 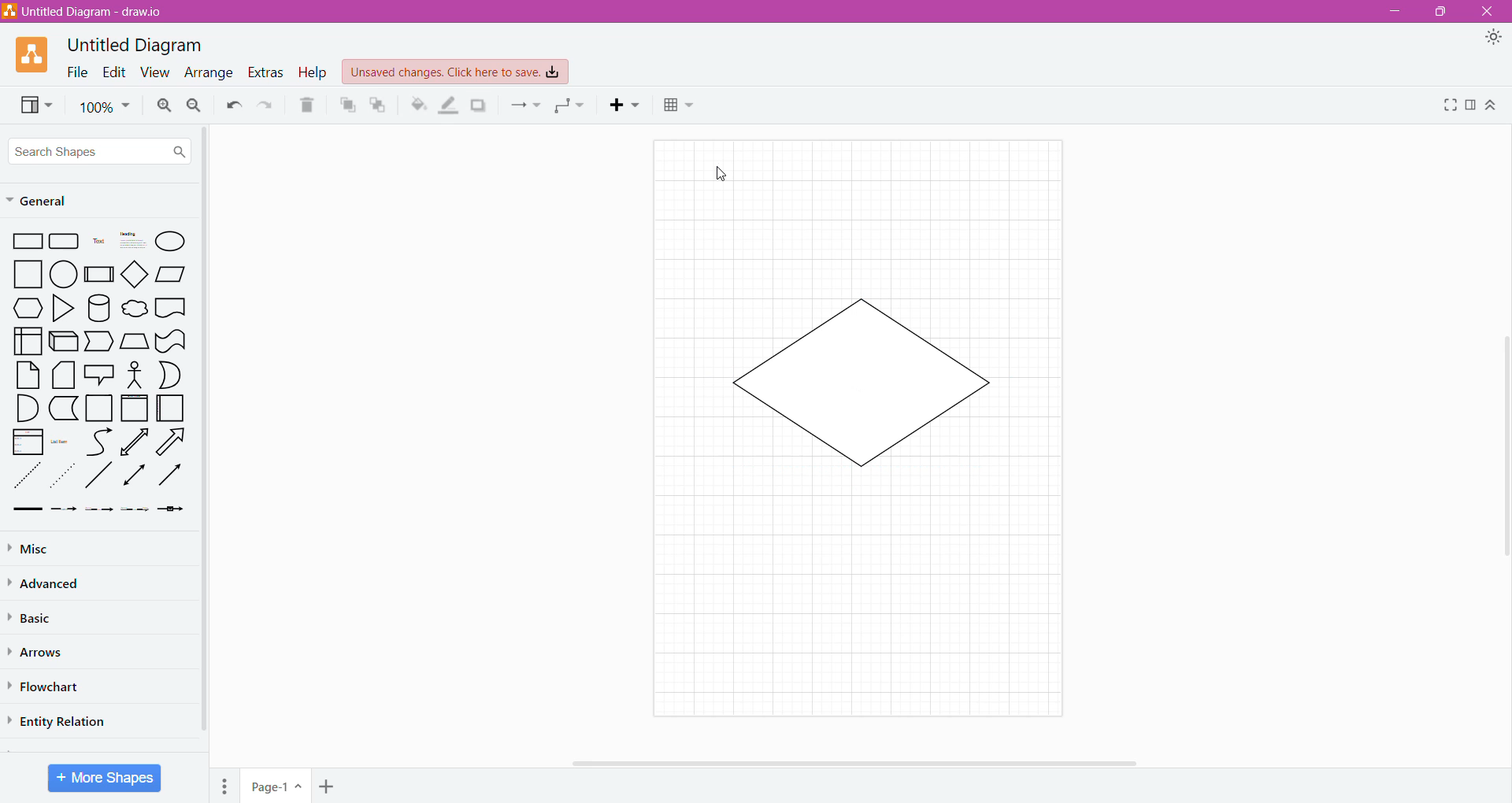 What do you see at coordinates (62, 342) in the screenshot?
I see `Cube` at bounding box center [62, 342].